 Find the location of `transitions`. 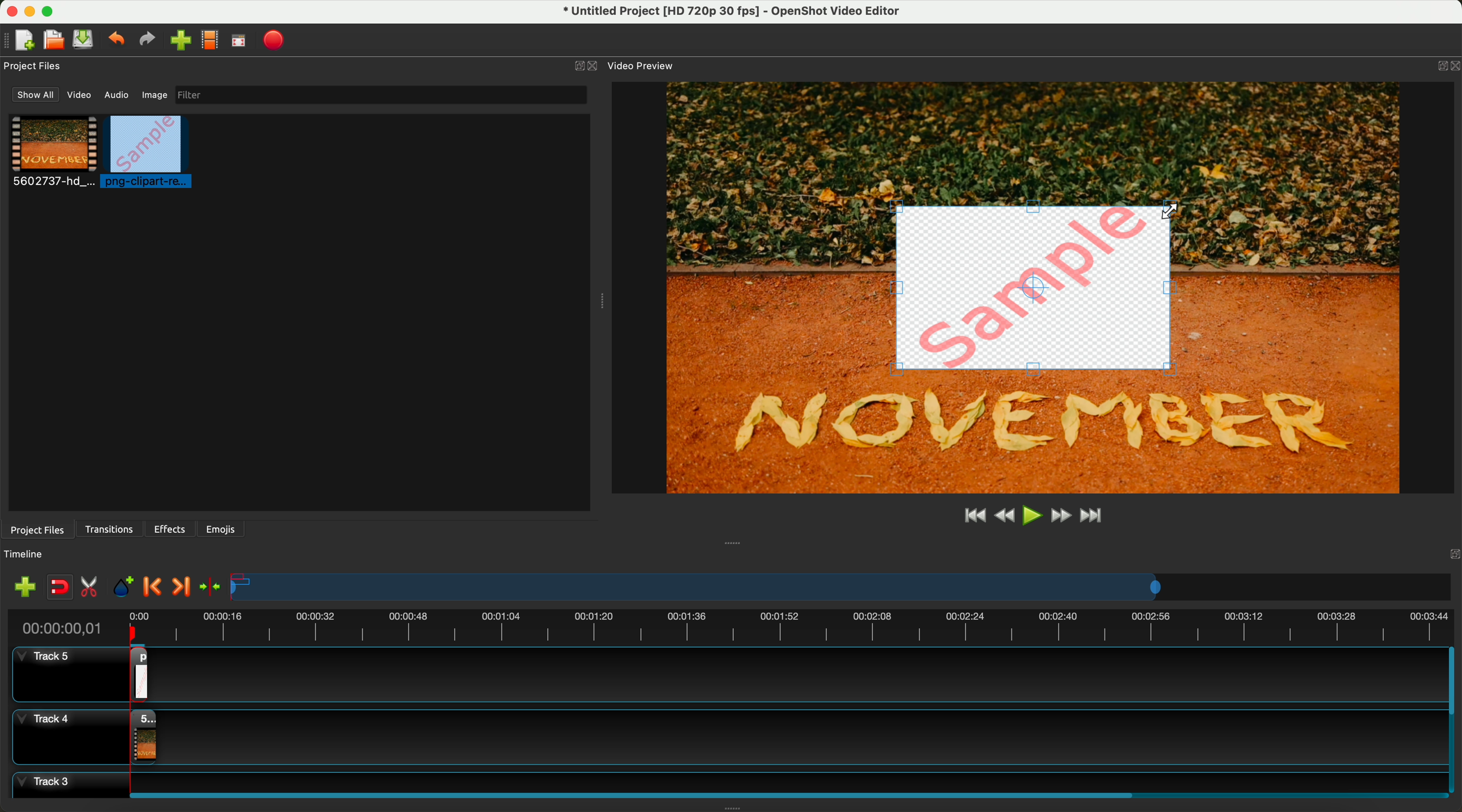

transitions is located at coordinates (111, 529).